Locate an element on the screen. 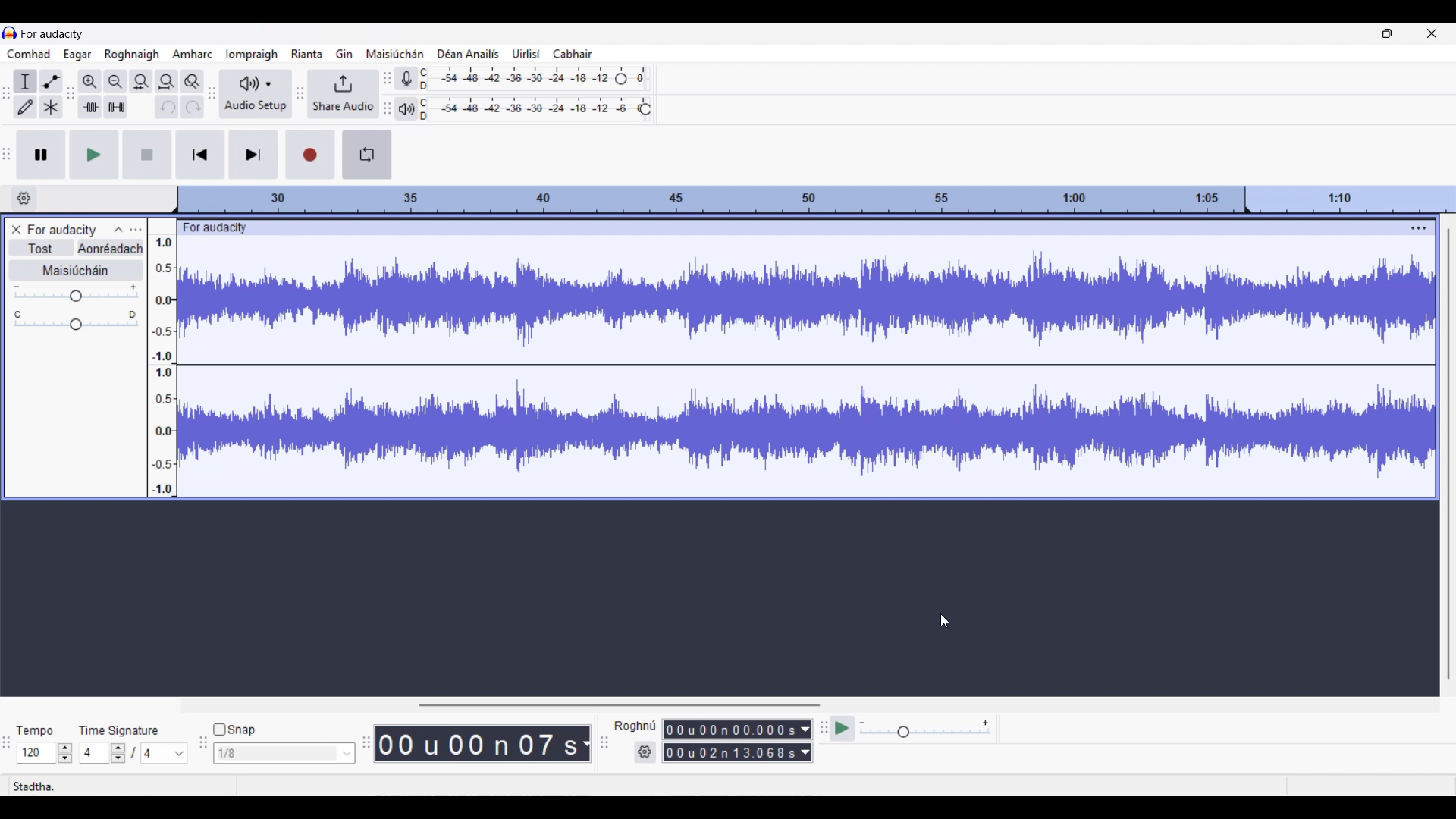 The height and width of the screenshot is (819, 1456). Current ptoject is located at coordinates (62, 231).